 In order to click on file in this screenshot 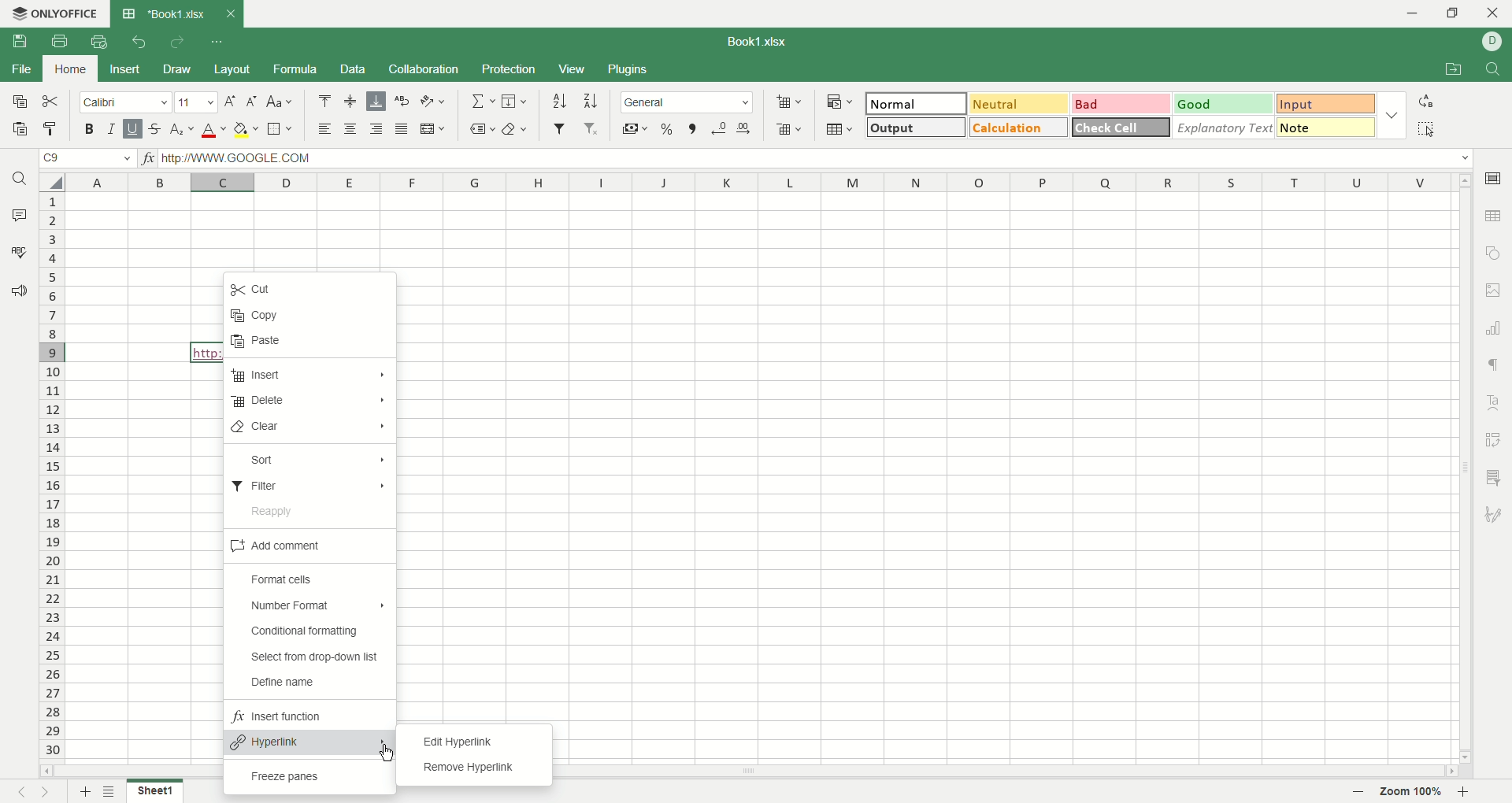, I will do `click(22, 72)`.